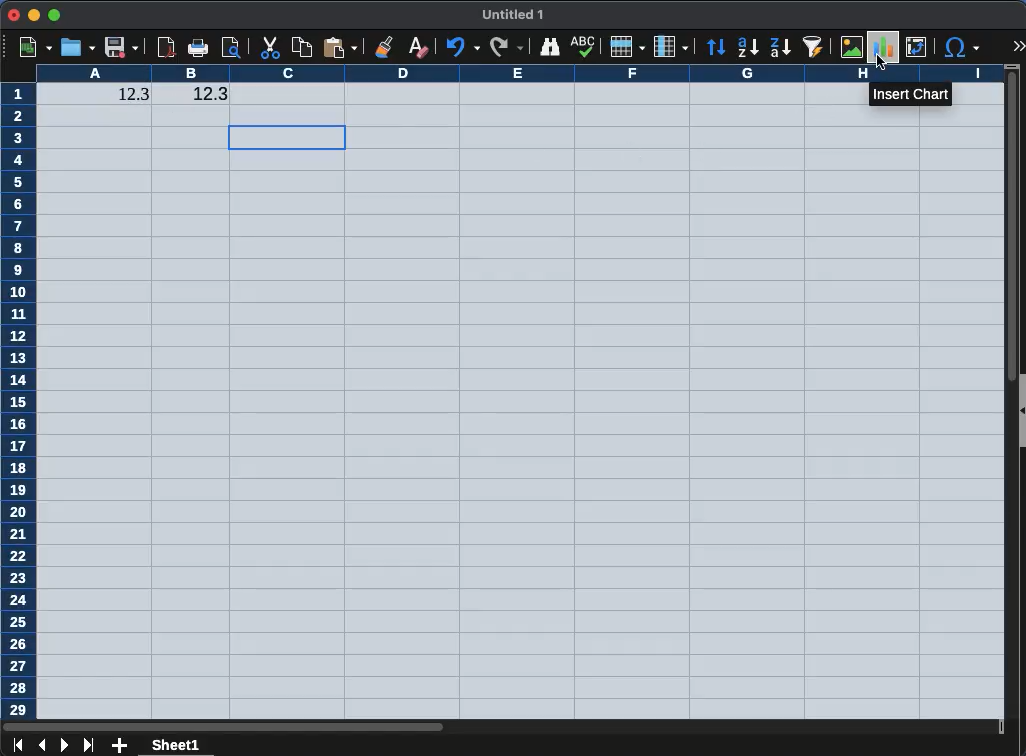 The height and width of the screenshot is (756, 1026). Describe the element at coordinates (1012, 225) in the screenshot. I see `Vertical slide bar` at that location.